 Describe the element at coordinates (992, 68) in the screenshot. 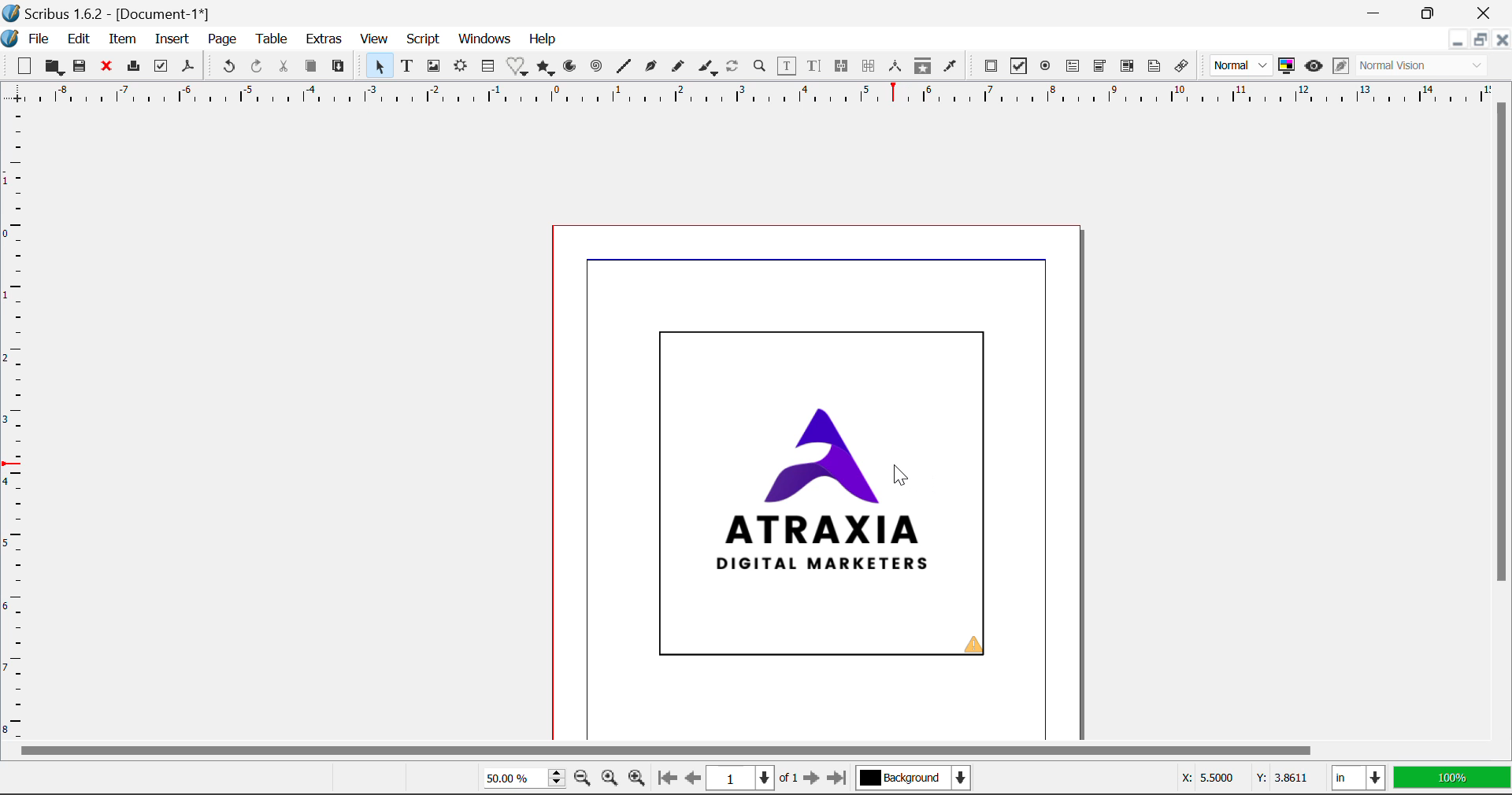

I see `Pdf Push Button` at that location.